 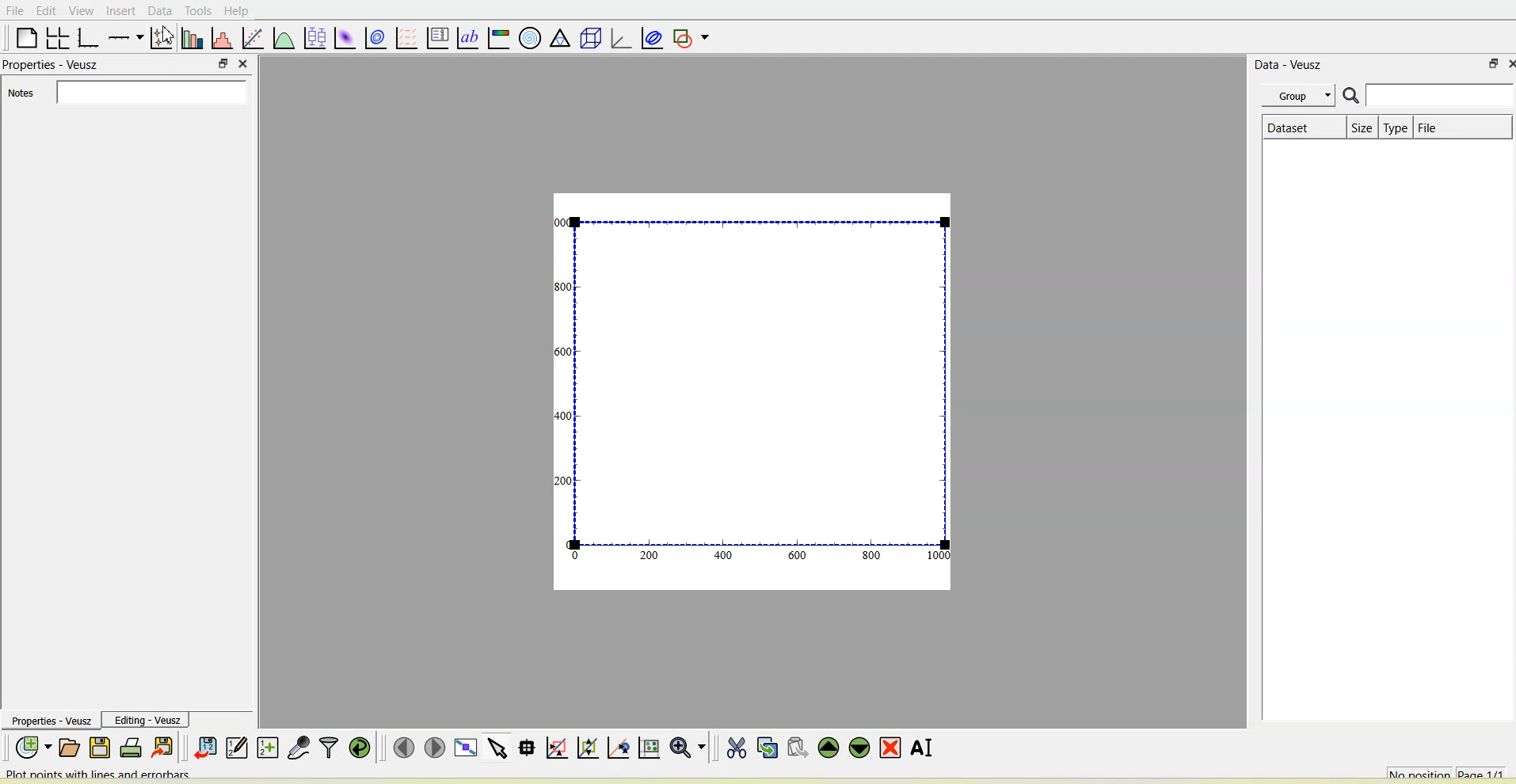 I want to click on Group, so click(x=1301, y=94).